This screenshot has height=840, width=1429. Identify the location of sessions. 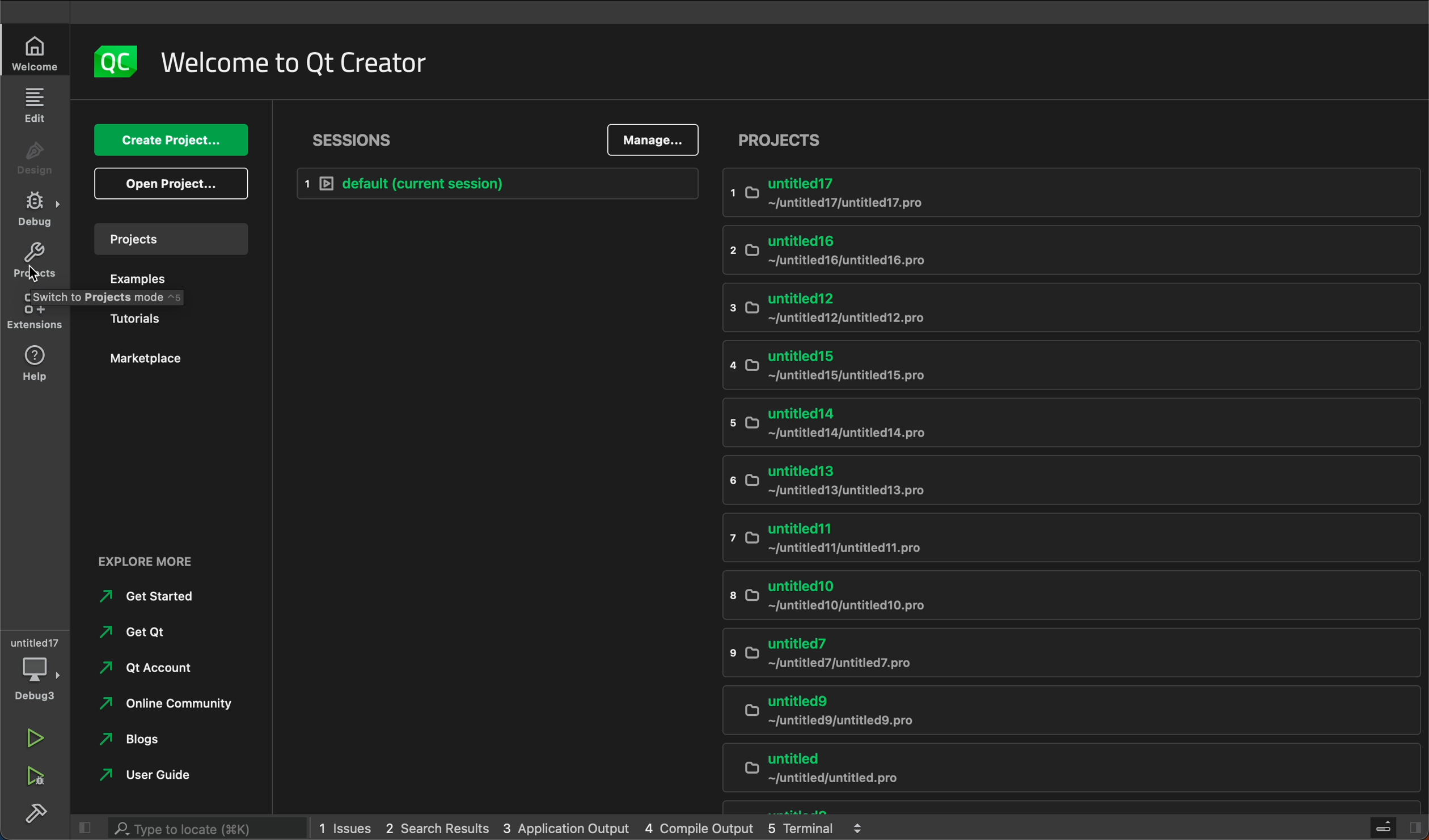
(359, 138).